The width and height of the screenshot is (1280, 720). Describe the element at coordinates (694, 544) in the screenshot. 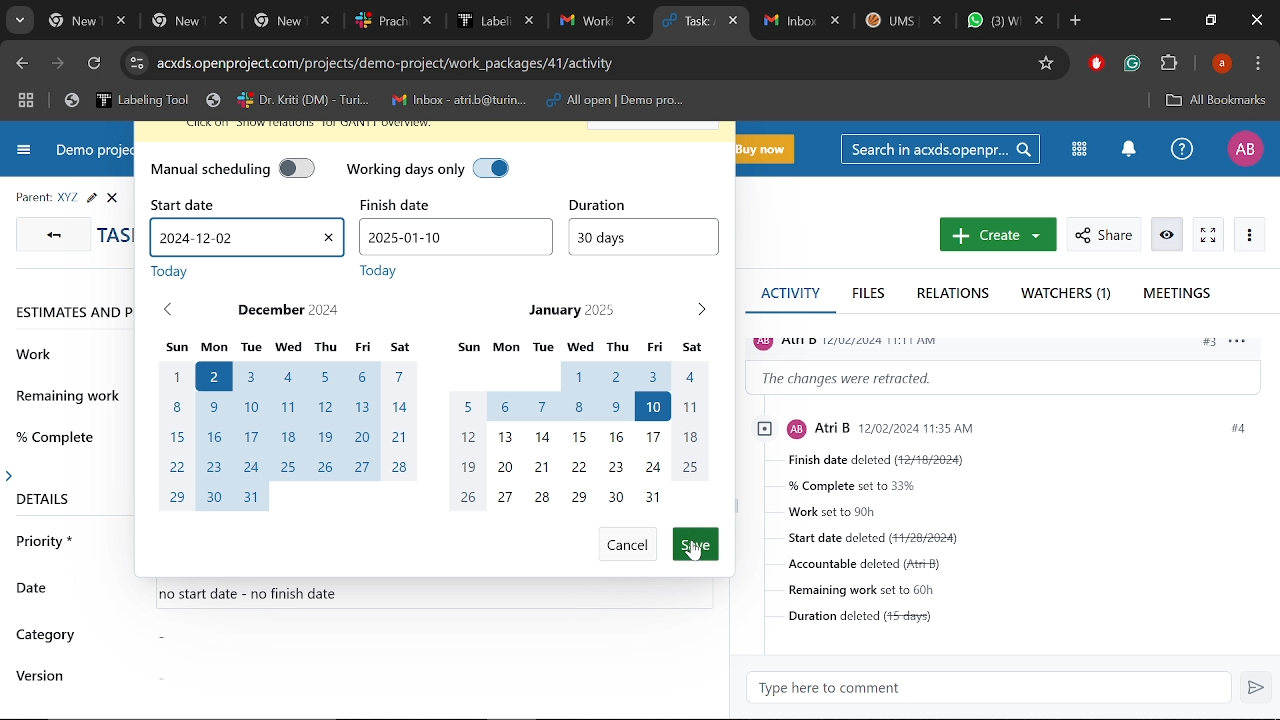

I see `Save` at that location.